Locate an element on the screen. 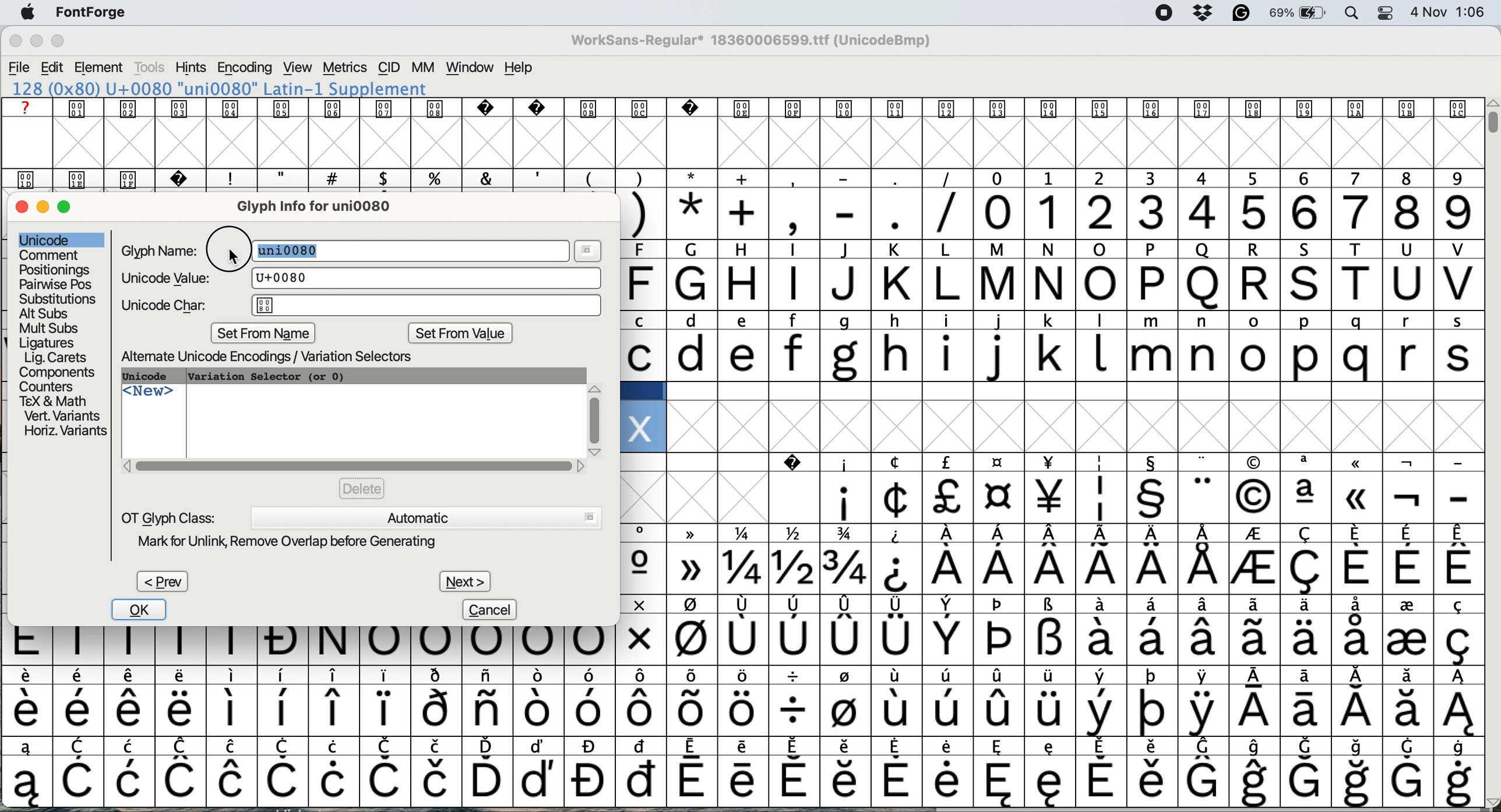  fontforge is located at coordinates (96, 15).